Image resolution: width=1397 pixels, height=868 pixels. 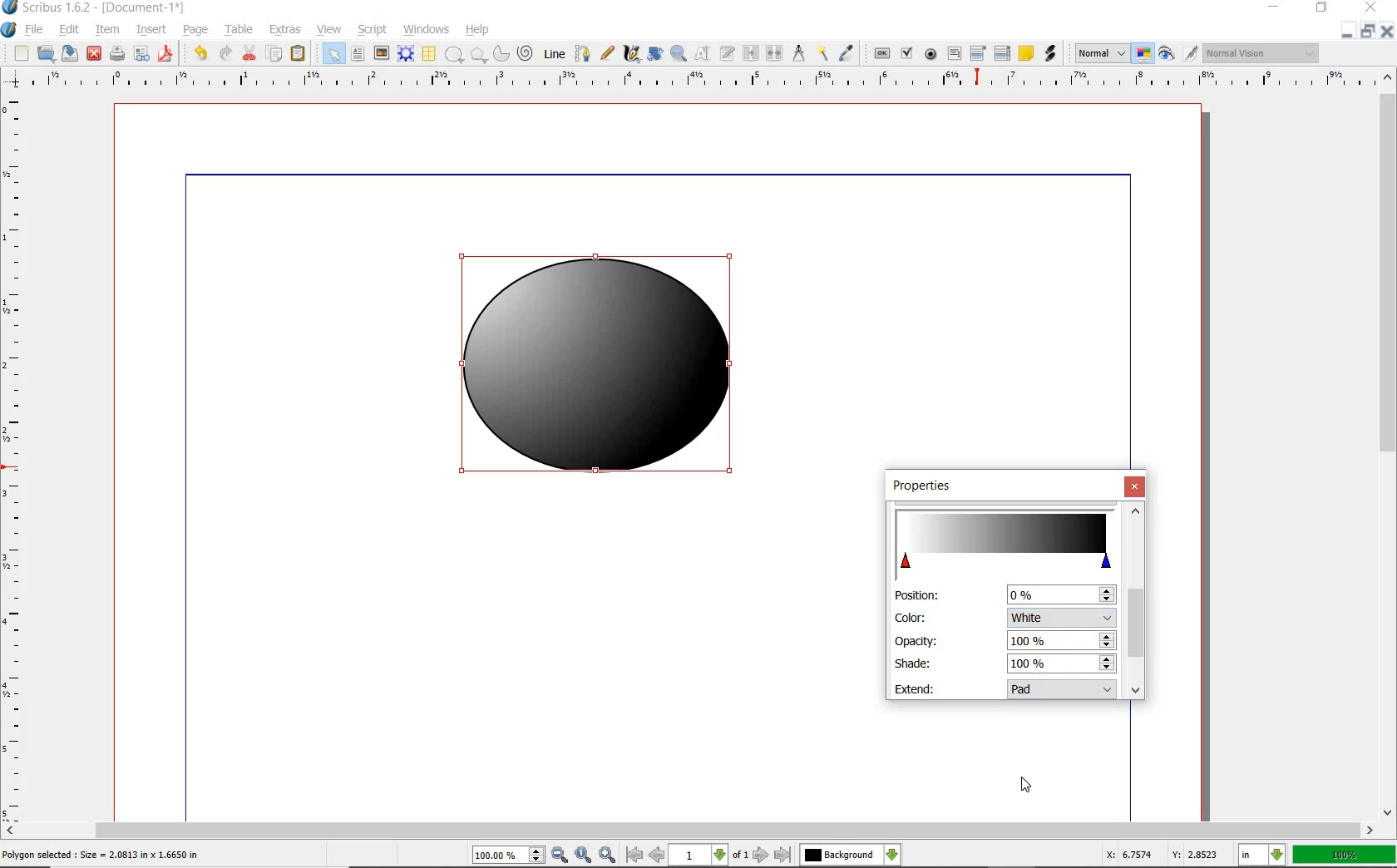 What do you see at coordinates (634, 855) in the screenshot?
I see `first` at bounding box center [634, 855].